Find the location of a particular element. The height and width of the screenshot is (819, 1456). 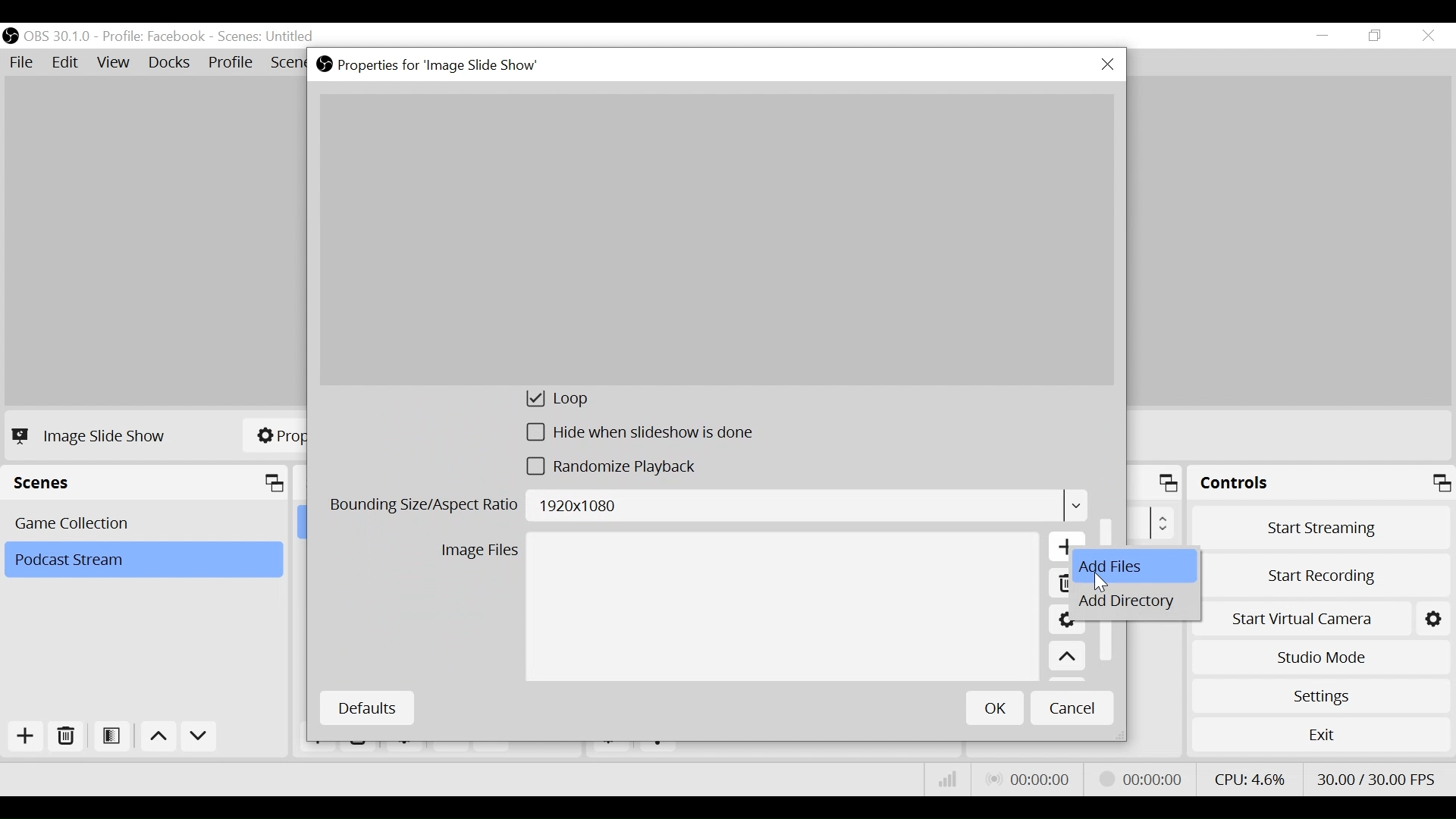

Move Down is located at coordinates (199, 739).